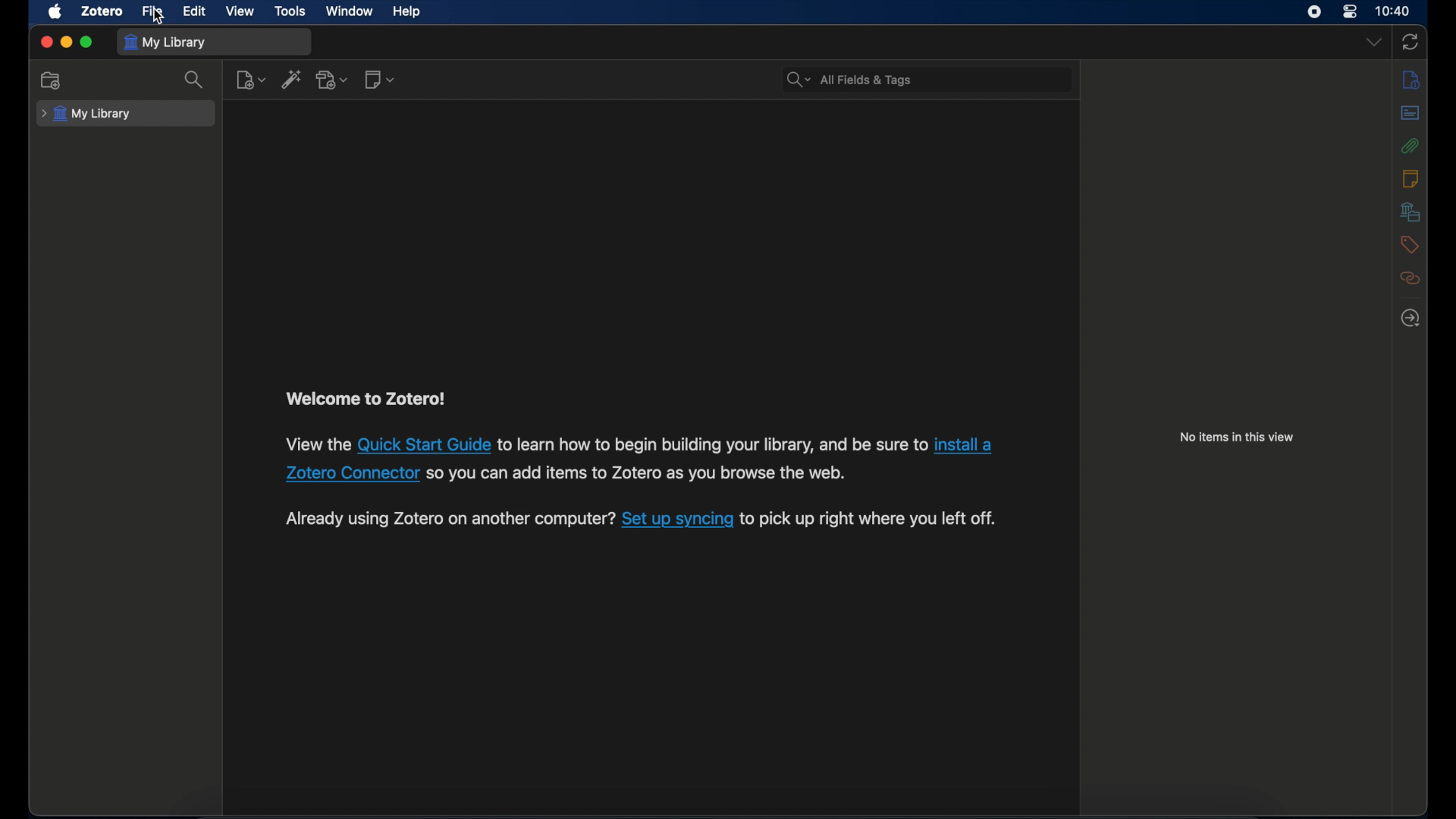 Image resolution: width=1456 pixels, height=819 pixels. I want to click on view, so click(240, 11).